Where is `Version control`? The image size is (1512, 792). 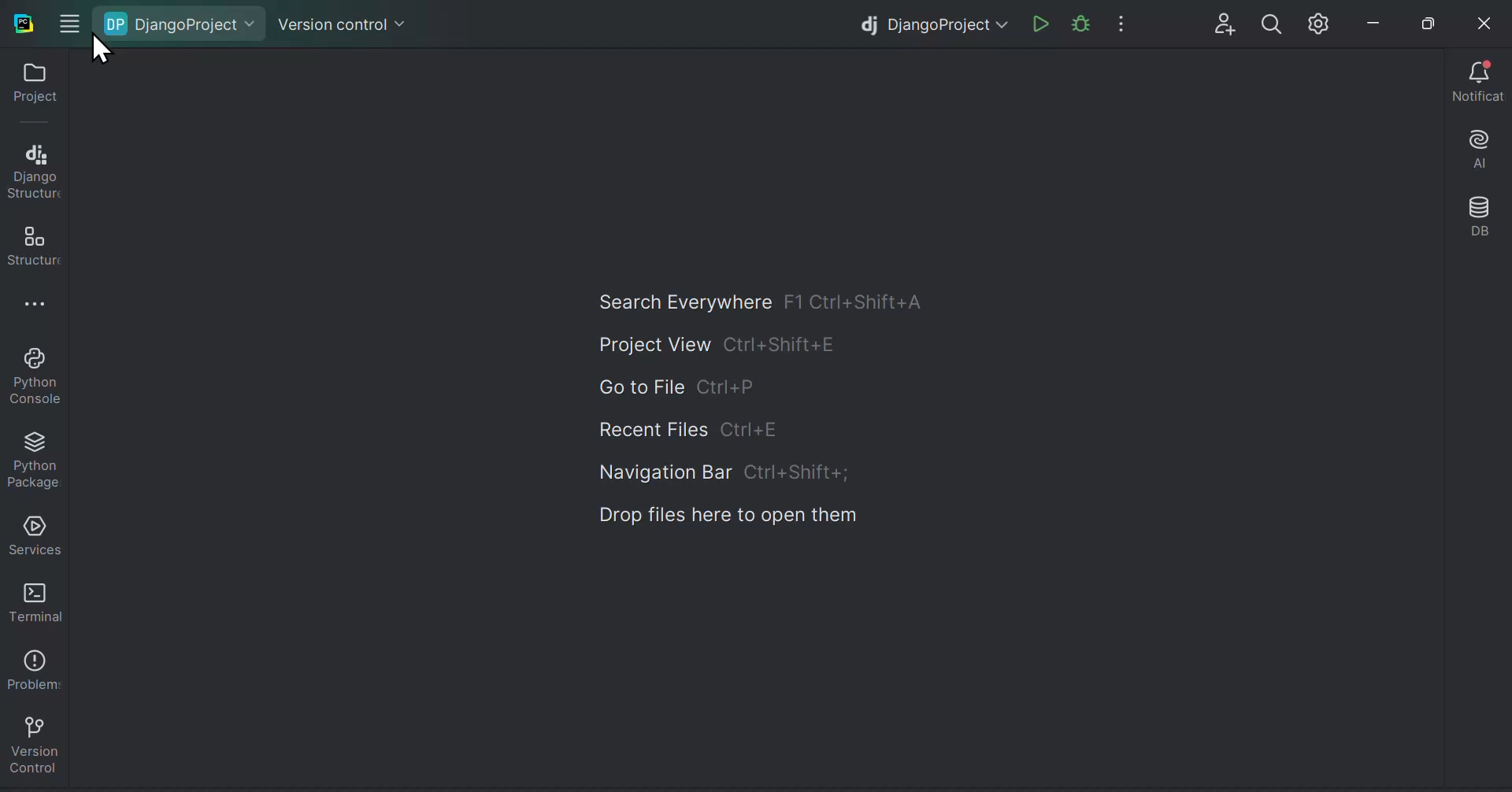 Version control is located at coordinates (33, 741).